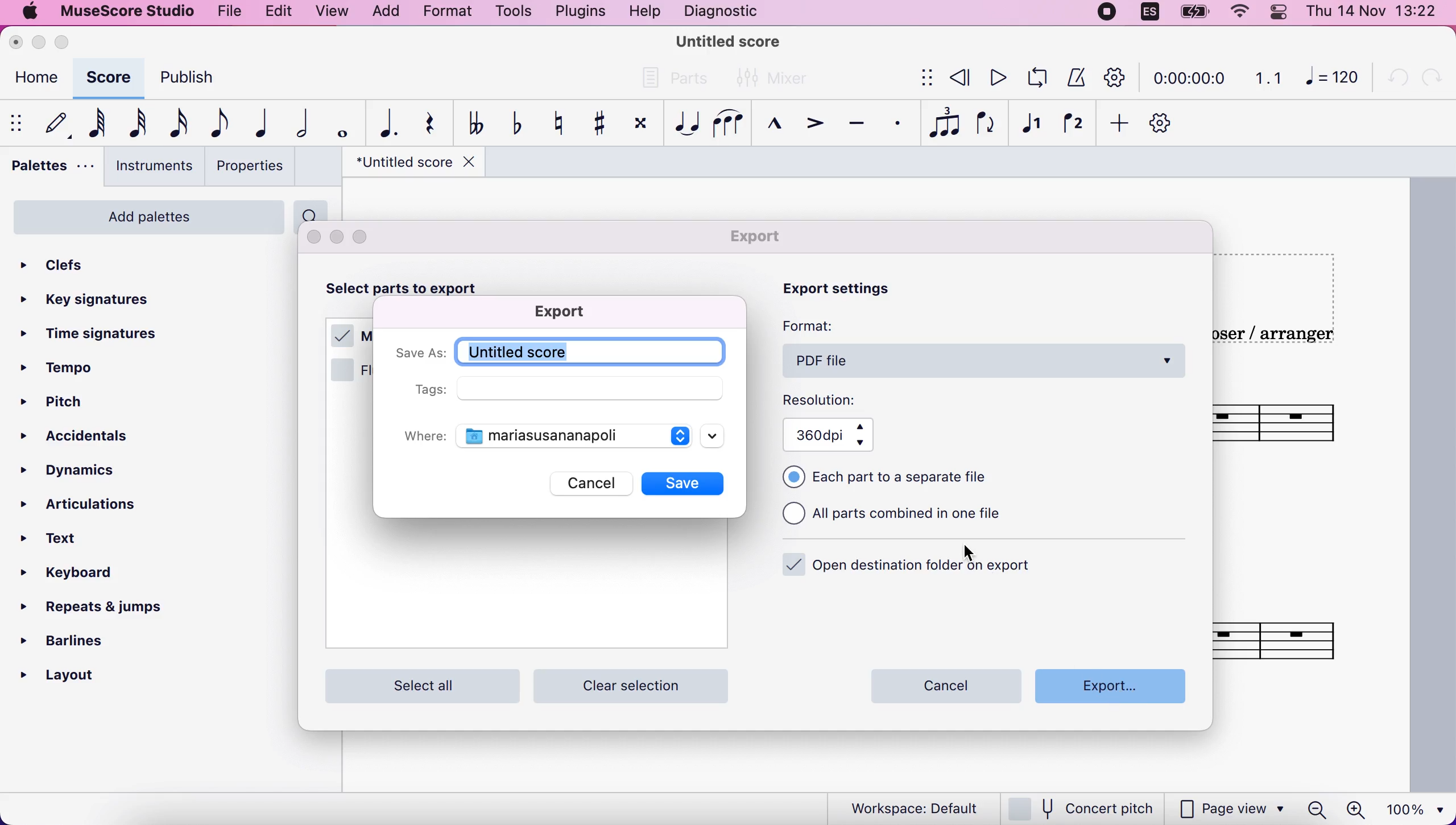 The width and height of the screenshot is (1456, 825). I want to click on save as, so click(419, 349).